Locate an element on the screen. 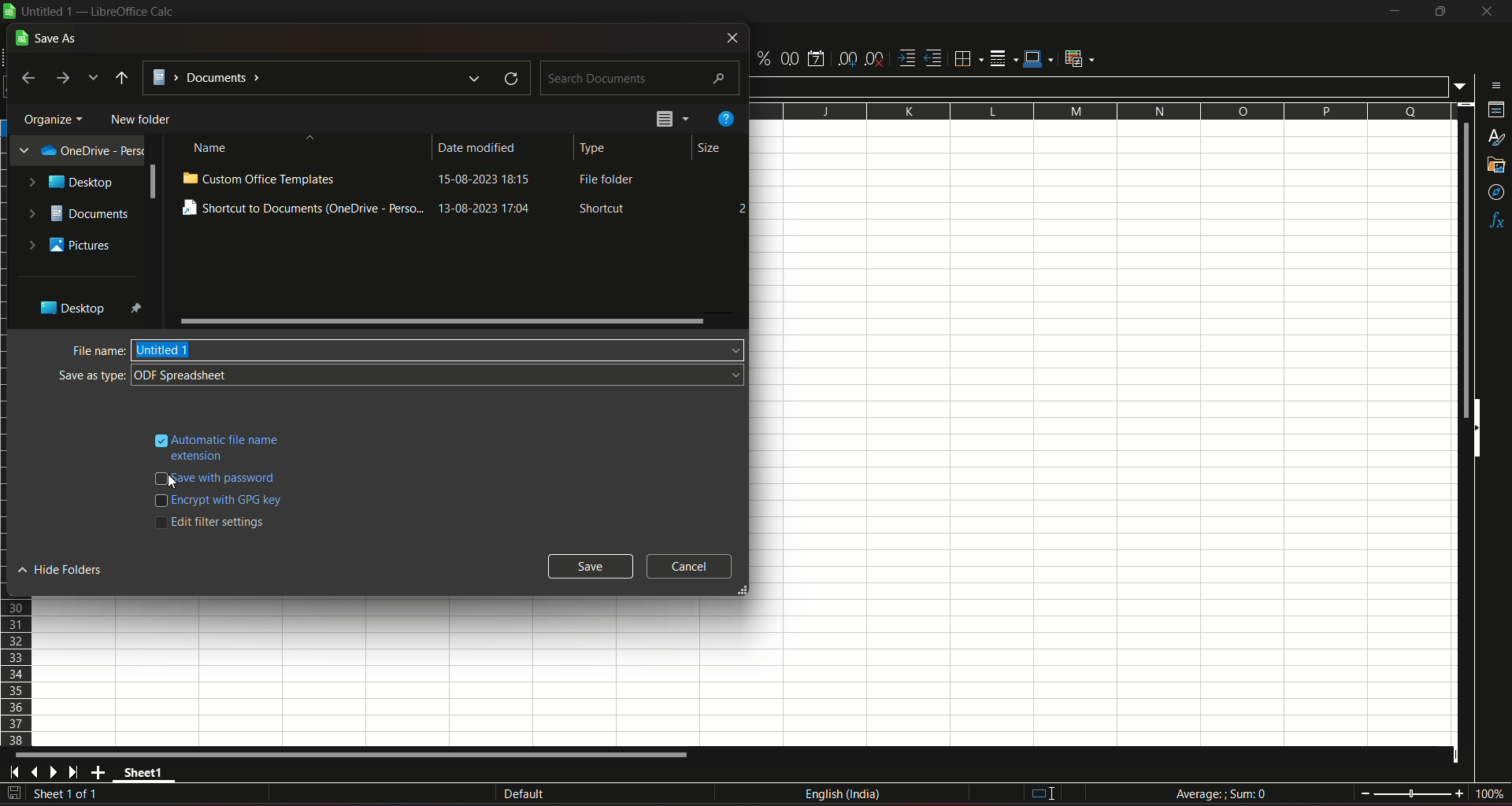 This screenshot has height=806, width=1512. one drive is located at coordinates (77, 151).